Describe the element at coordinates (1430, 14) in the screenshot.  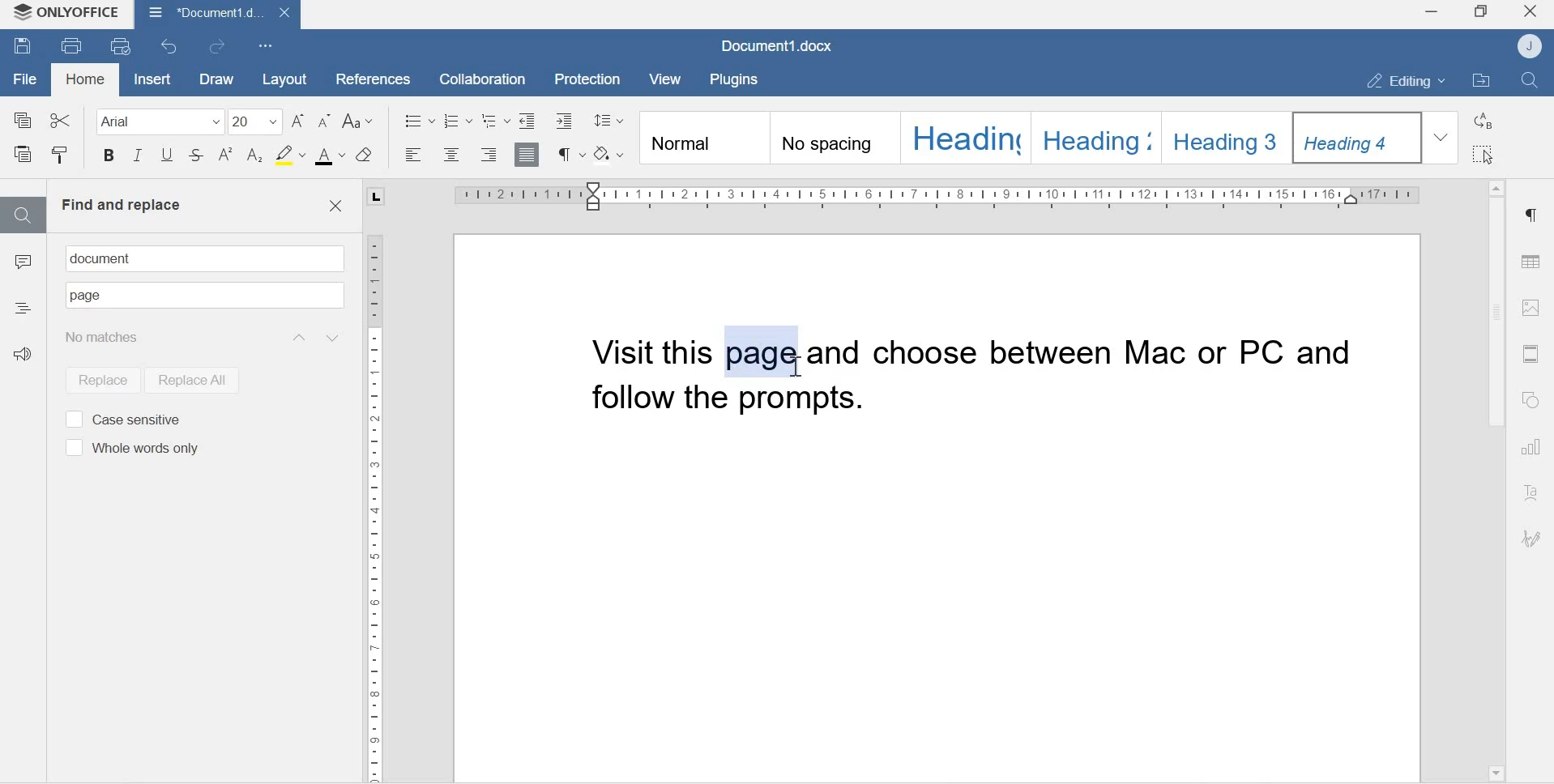
I see `Minimize` at that location.